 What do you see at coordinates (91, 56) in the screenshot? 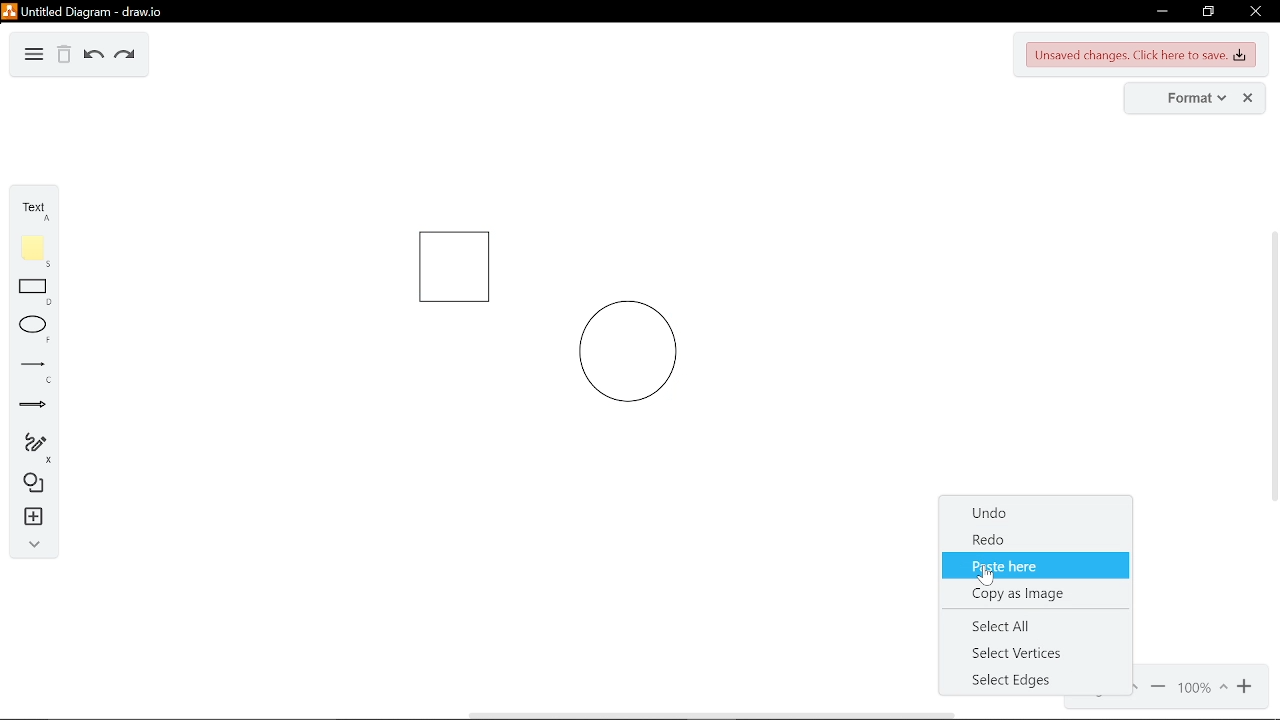
I see `undo` at bounding box center [91, 56].